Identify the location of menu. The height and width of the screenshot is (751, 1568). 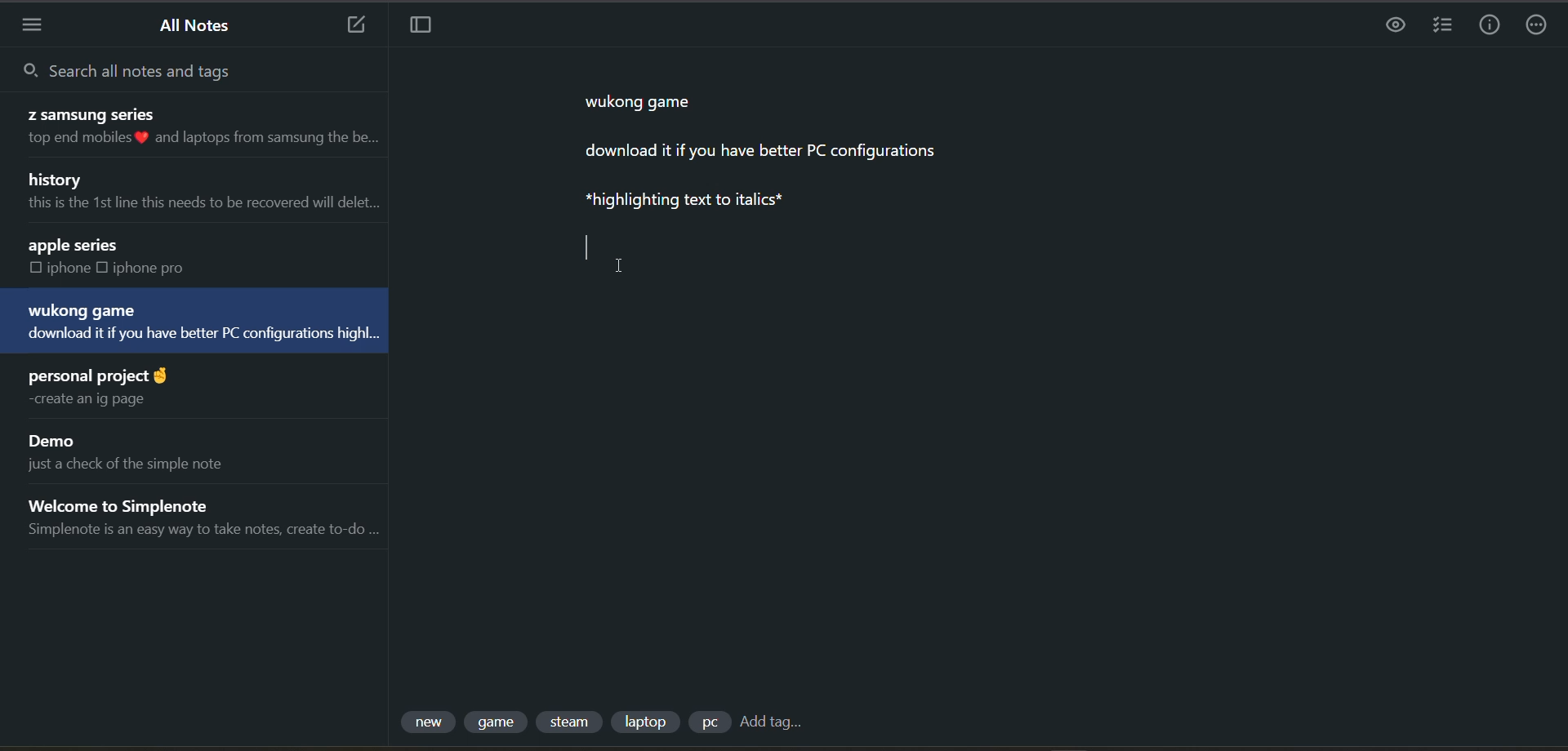
(33, 23).